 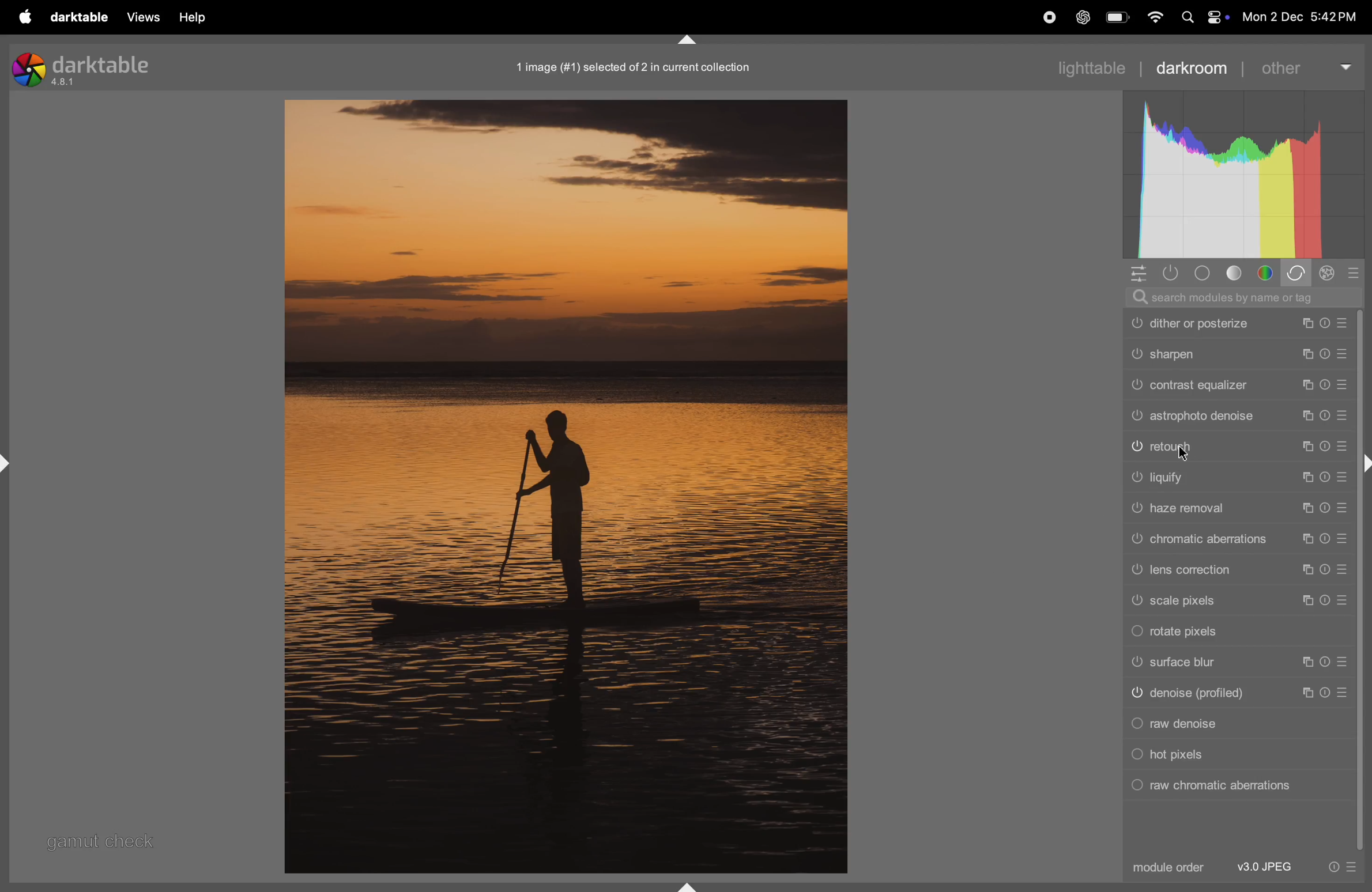 What do you see at coordinates (28, 17) in the screenshot?
I see `apple menu` at bounding box center [28, 17].